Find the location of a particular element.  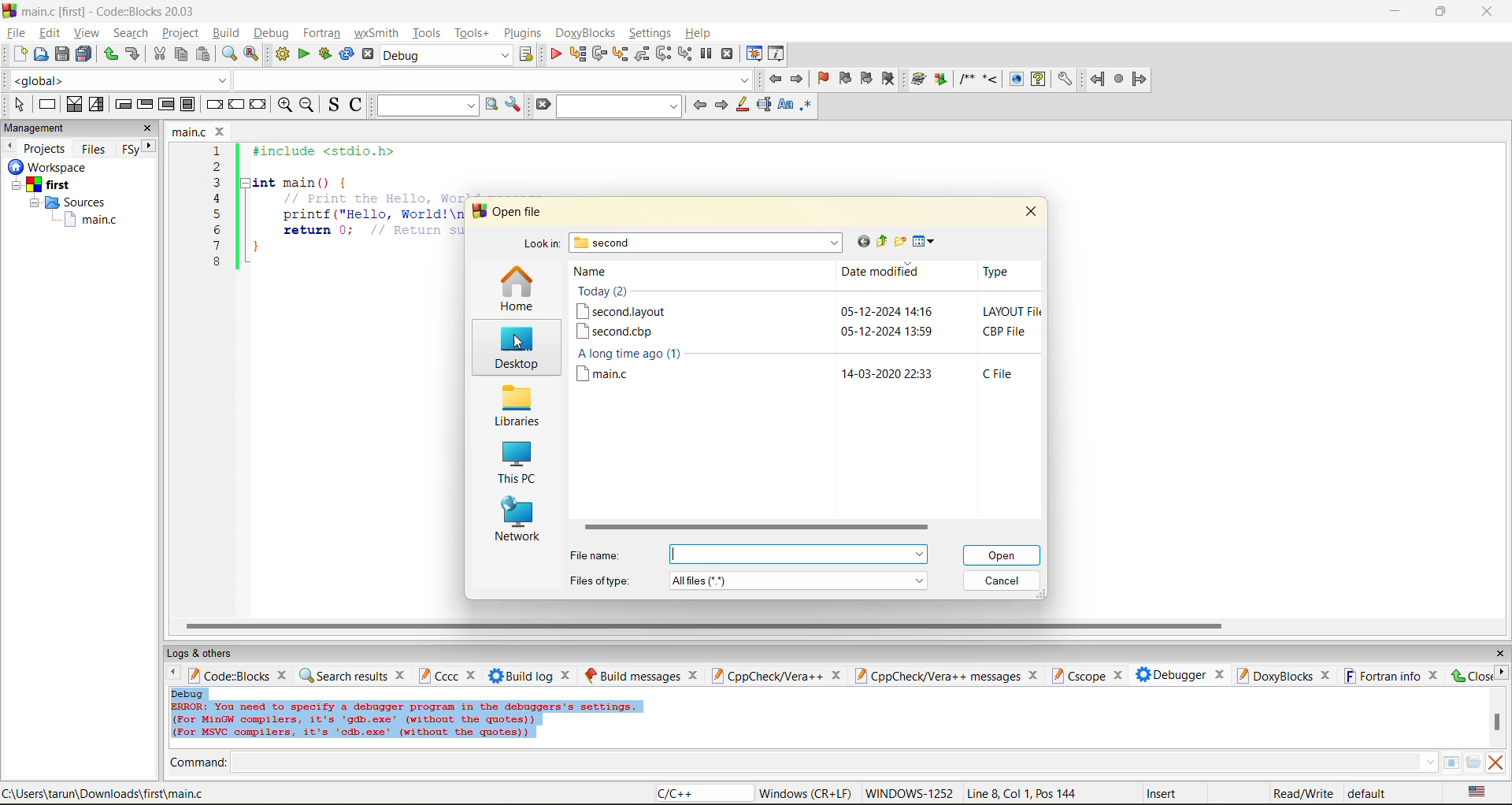

1 is located at coordinates (219, 151).